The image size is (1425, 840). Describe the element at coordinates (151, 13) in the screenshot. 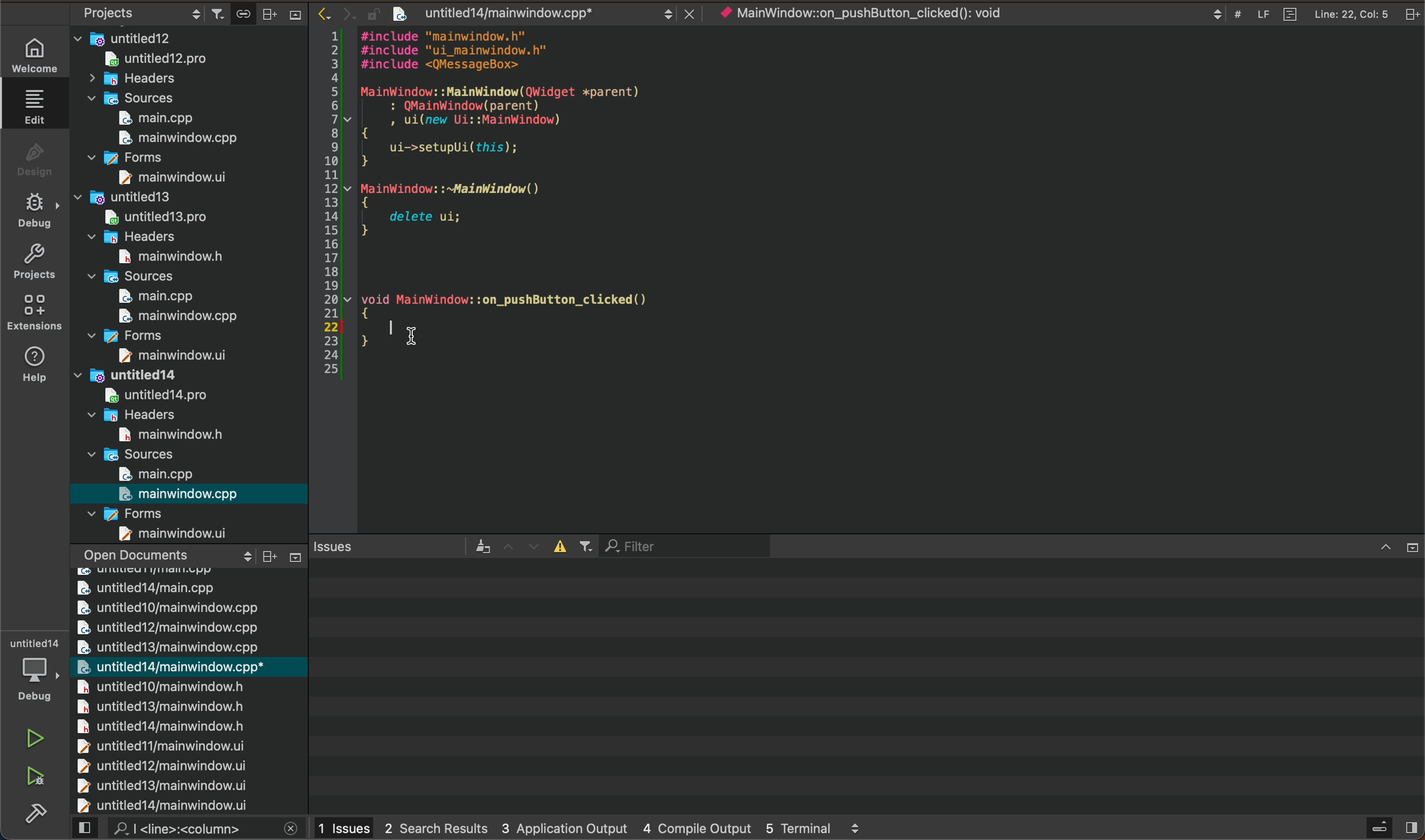

I see `projects` at that location.